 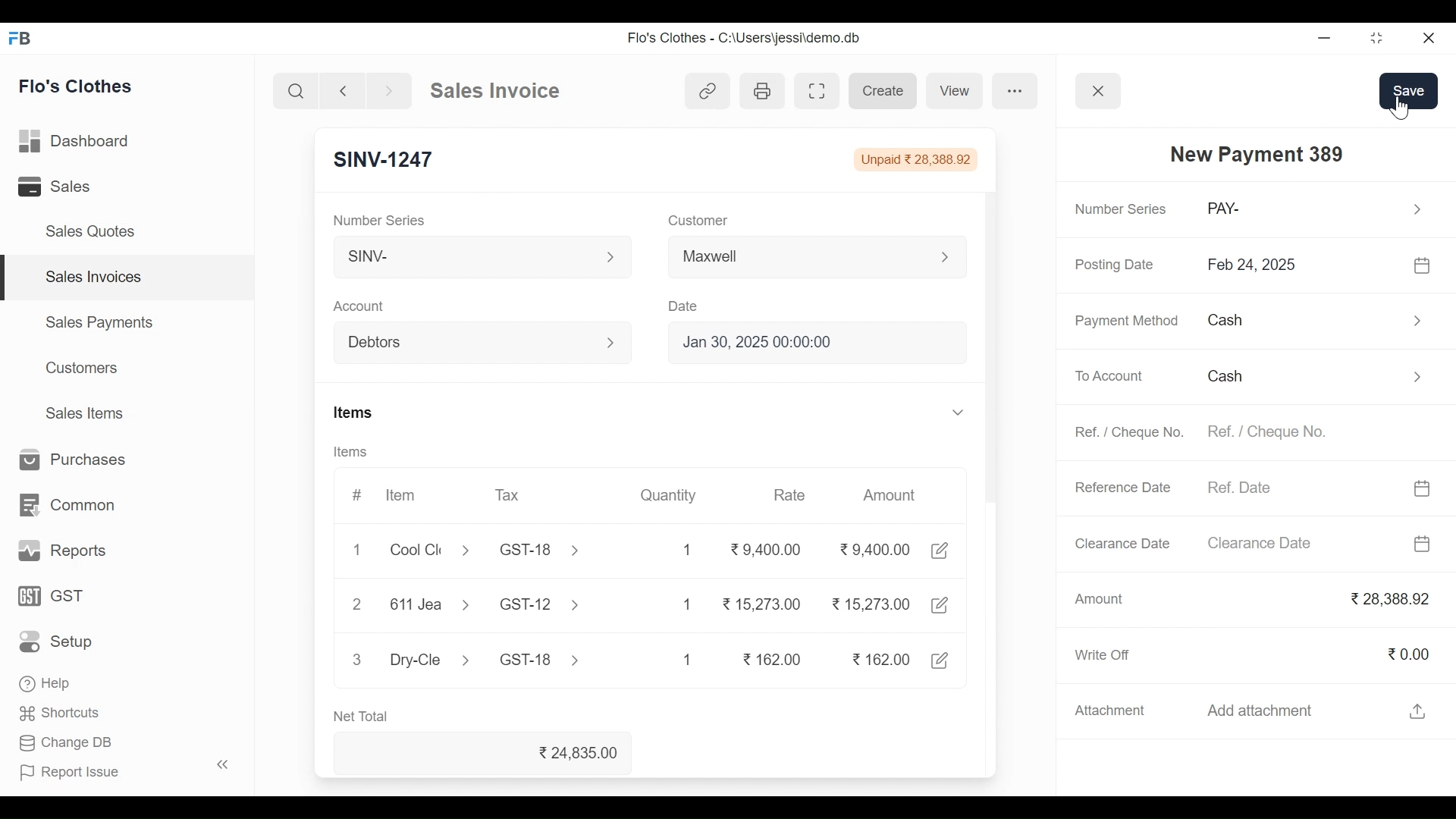 What do you see at coordinates (1319, 263) in the screenshot?
I see `Feb 24, 2025` at bounding box center [1319, 263].